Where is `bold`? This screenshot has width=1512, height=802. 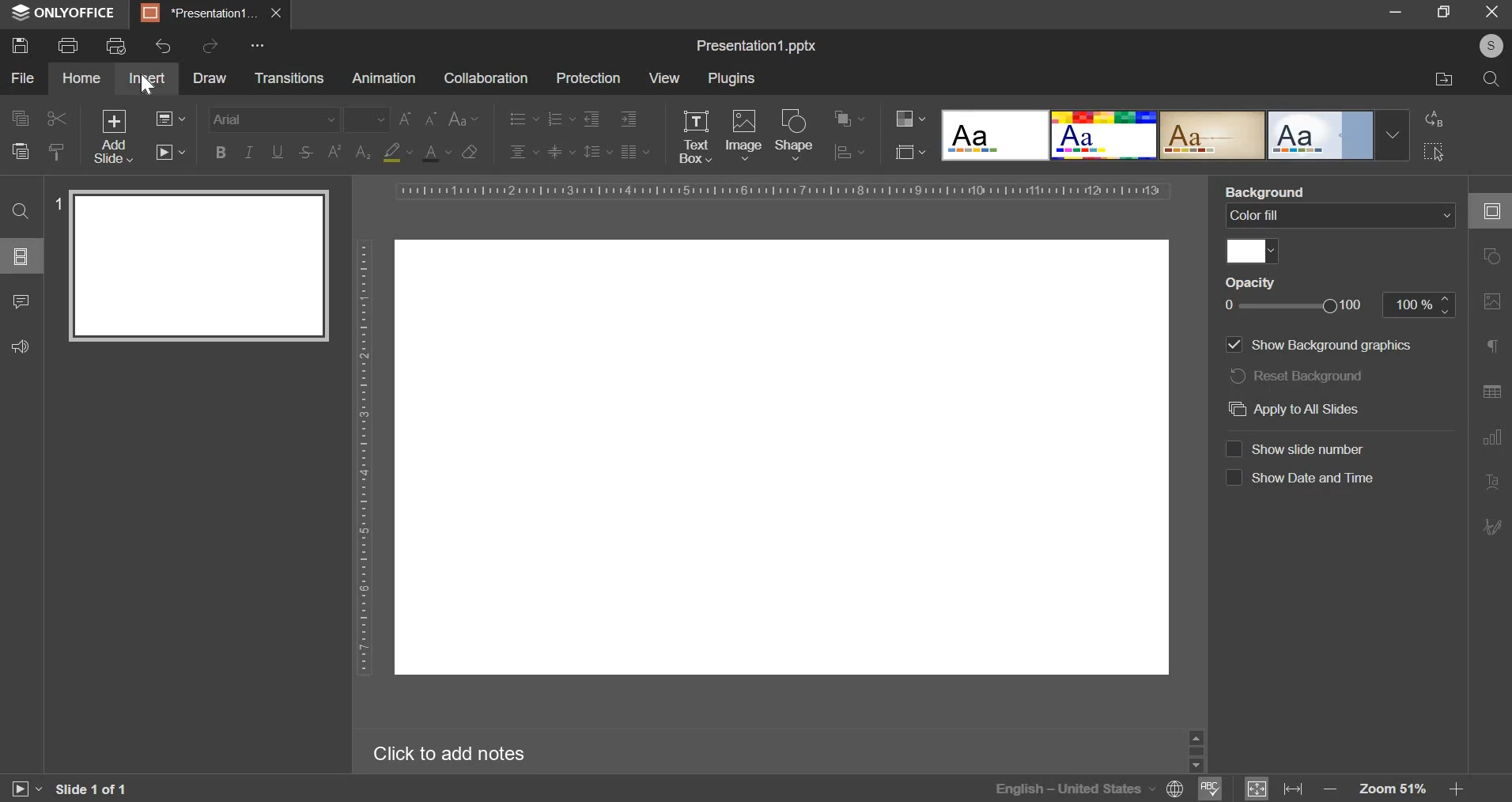 bold is located at coordinates (219, 150).